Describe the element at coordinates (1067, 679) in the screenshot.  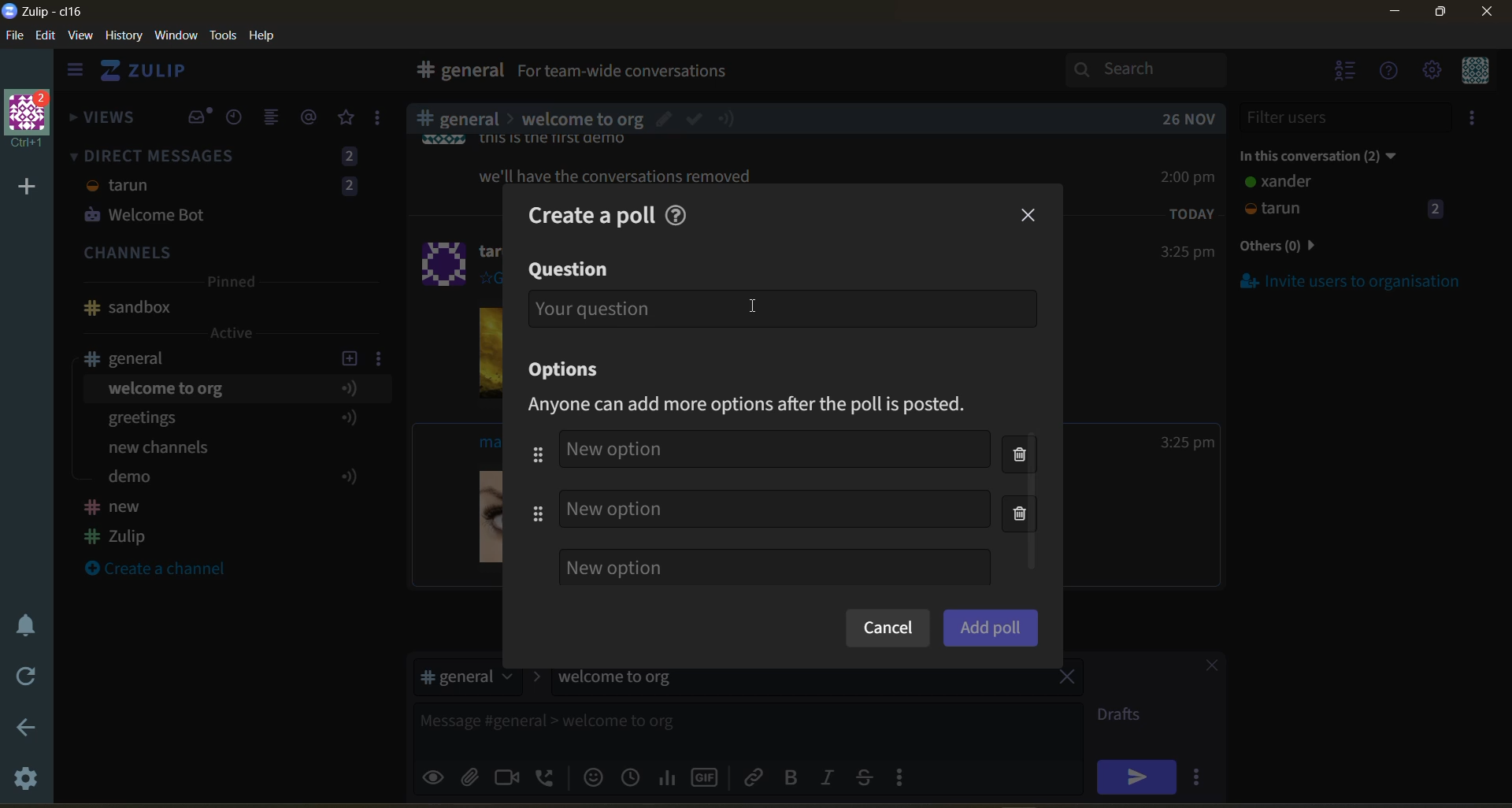
I see `remove topic` at that location.